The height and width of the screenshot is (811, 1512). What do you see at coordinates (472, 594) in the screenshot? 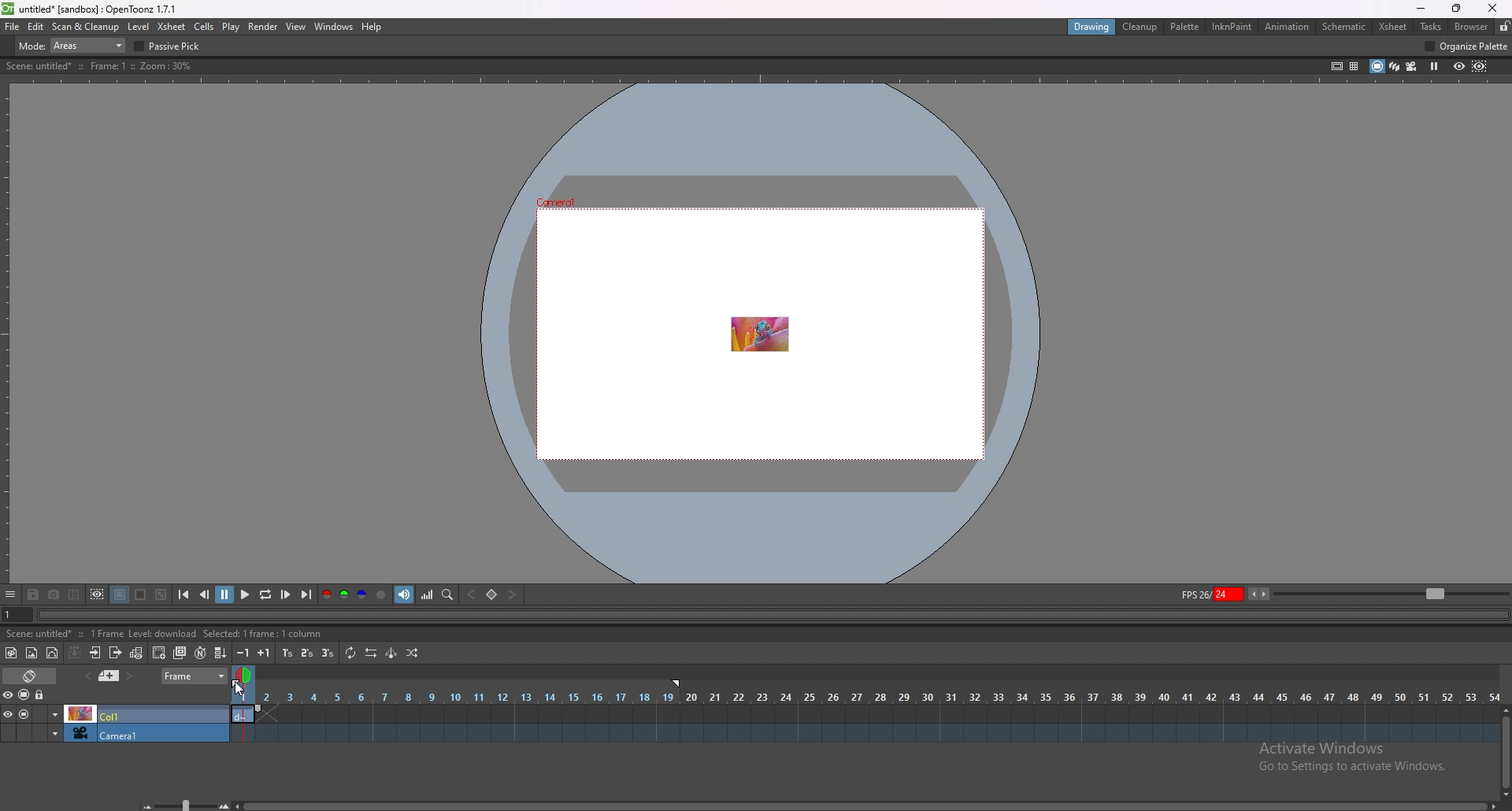
I see `previous key` at bounding box center [472, 594].